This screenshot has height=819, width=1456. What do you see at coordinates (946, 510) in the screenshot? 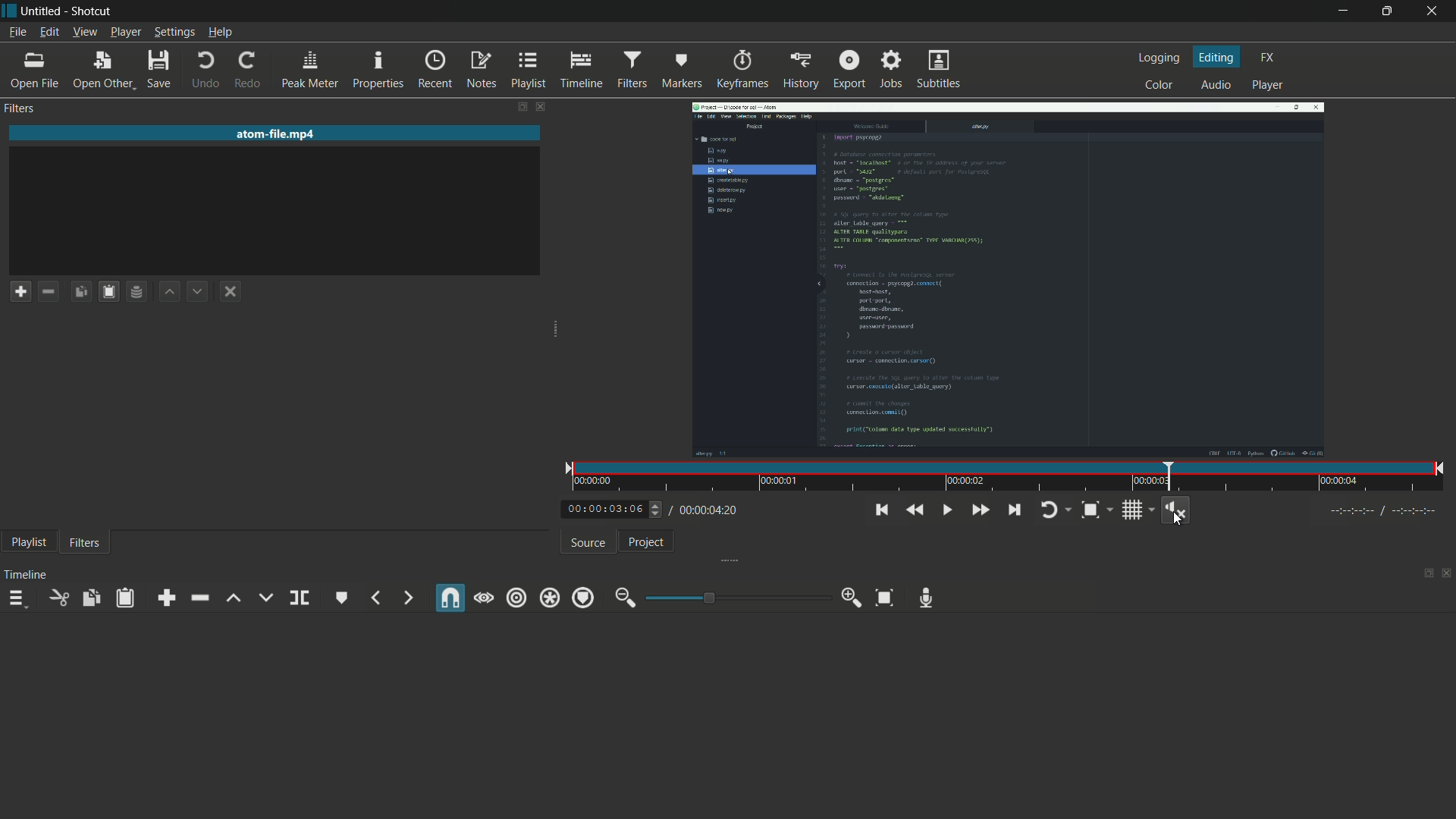
I see `toggle play or pause` at bounding box center [946, 510].